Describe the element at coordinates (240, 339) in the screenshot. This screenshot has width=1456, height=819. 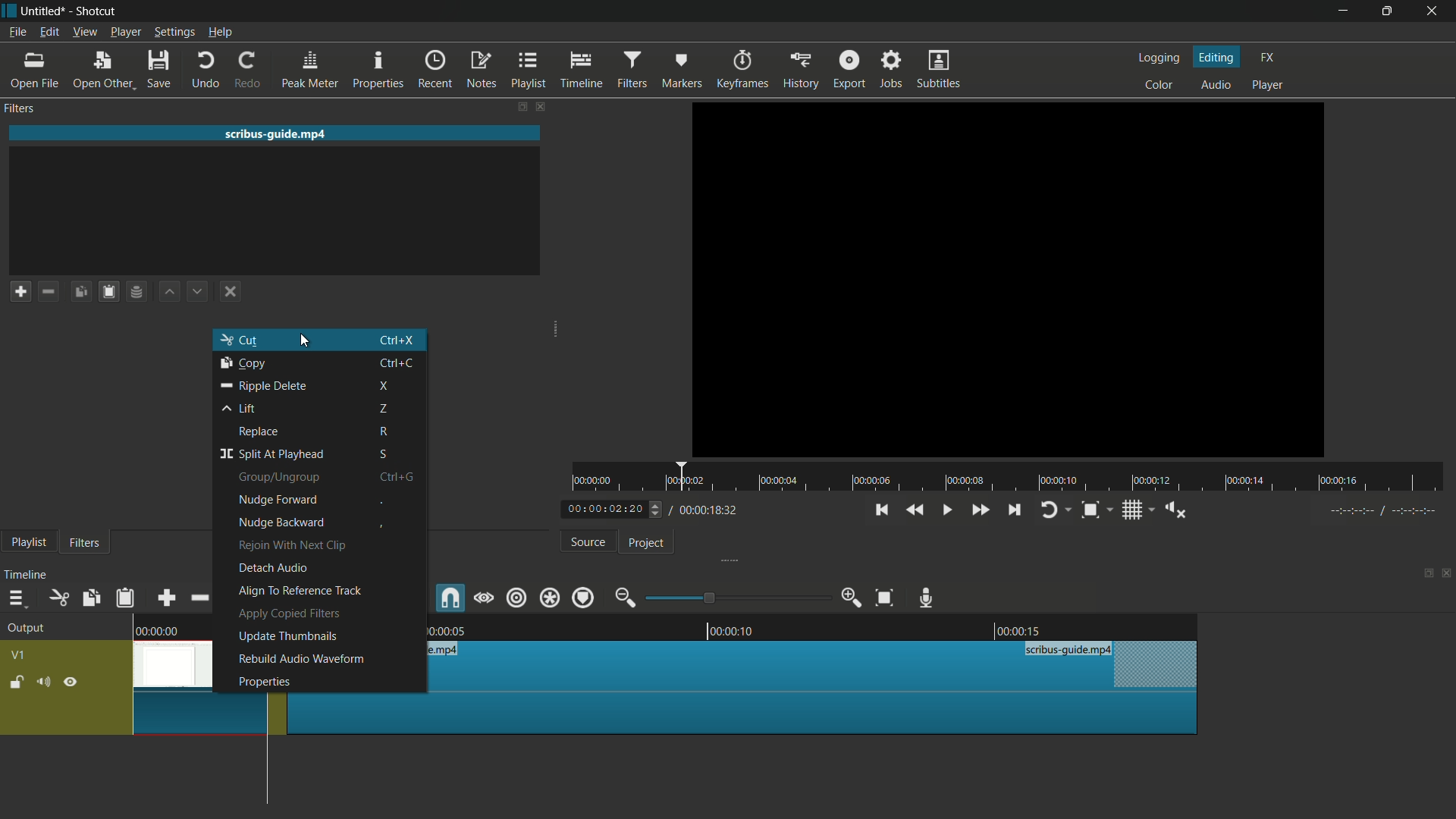
I see `cut` at that location.